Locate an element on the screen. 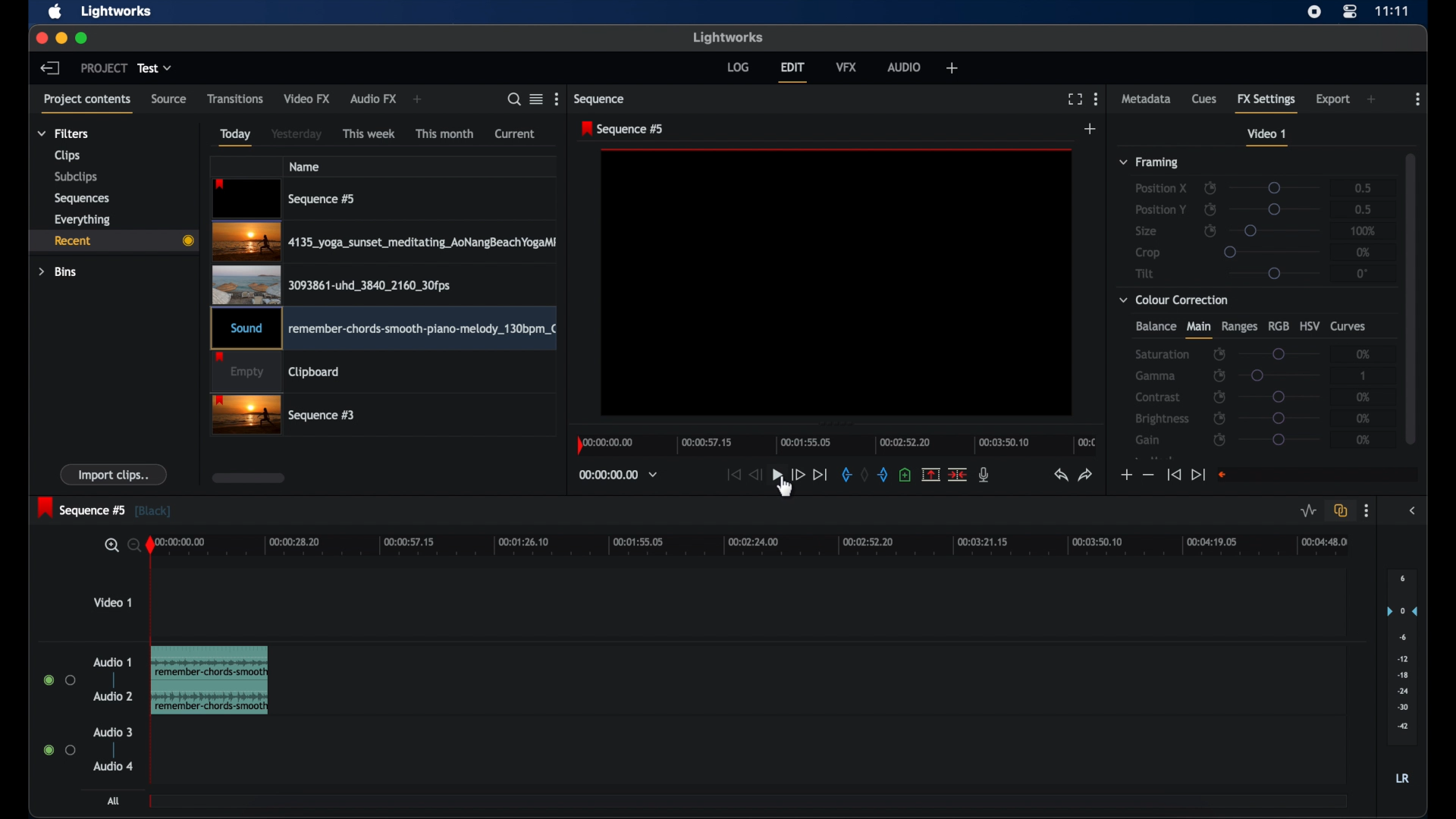  close is located at coordinates (41, 39).